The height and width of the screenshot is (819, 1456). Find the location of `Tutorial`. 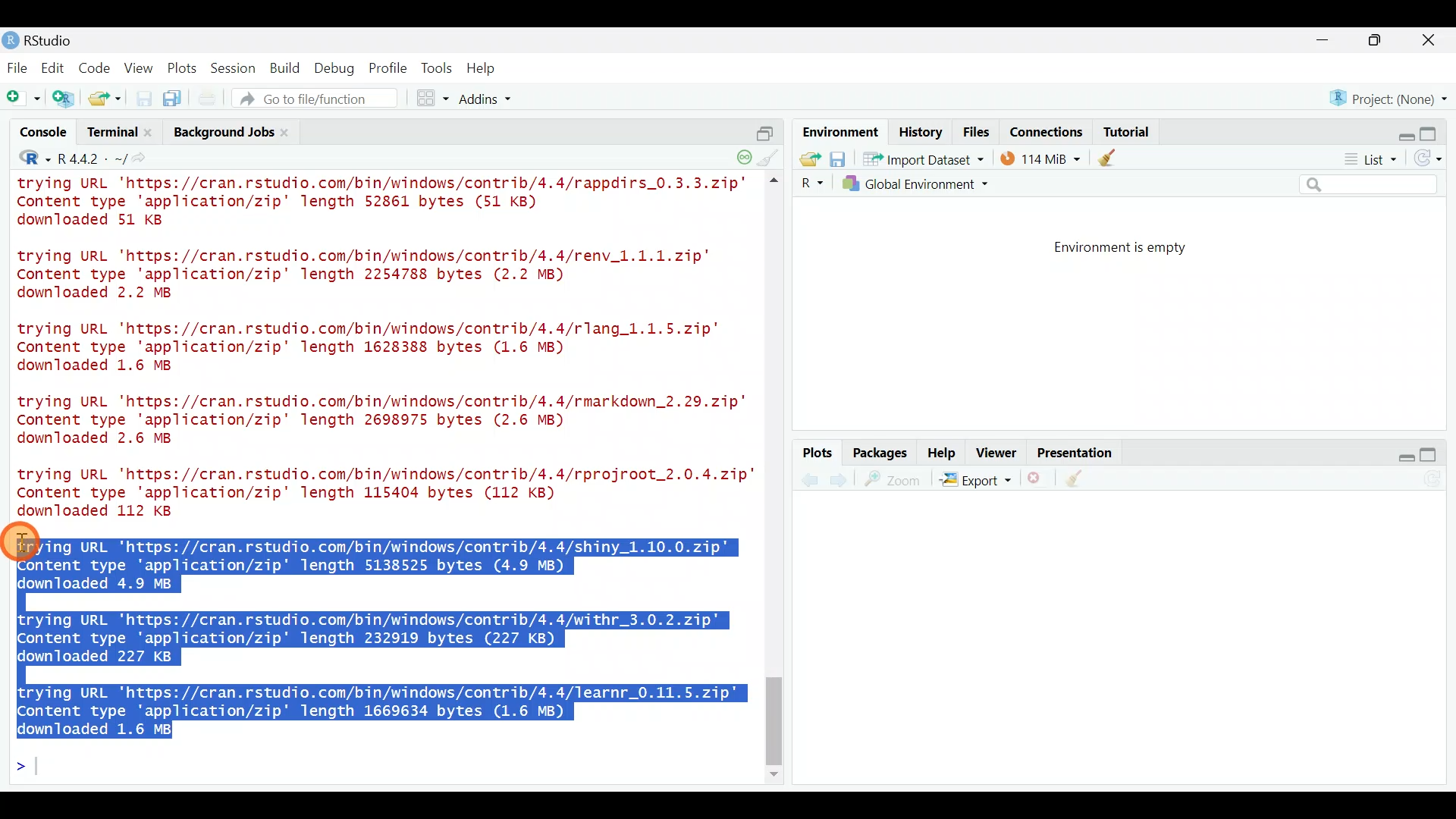

Tutorial is located at coordinates (1125, 129).